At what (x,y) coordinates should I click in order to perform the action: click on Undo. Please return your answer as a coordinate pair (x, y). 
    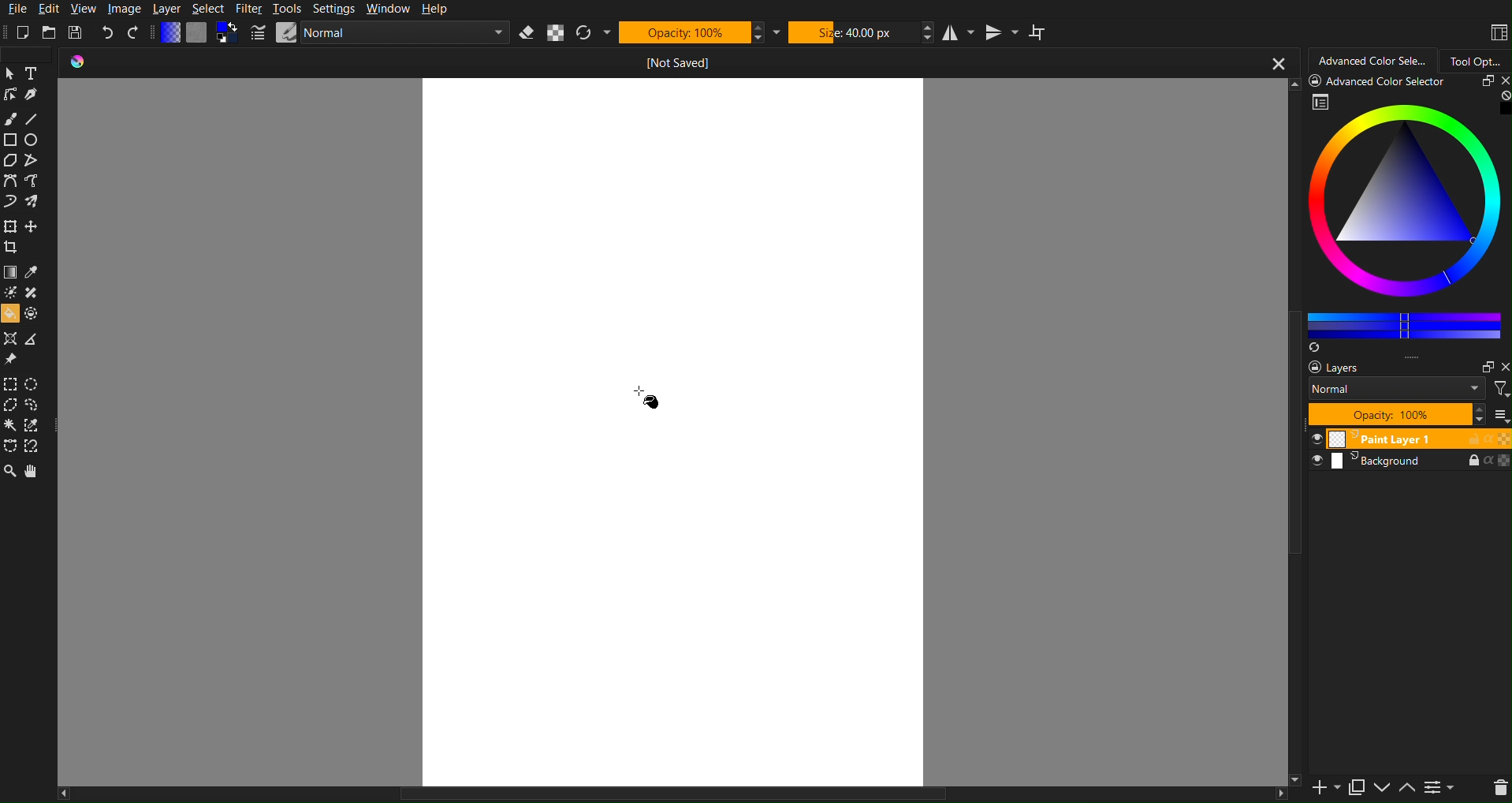
    Looking at the image, I should click on (108, 32).